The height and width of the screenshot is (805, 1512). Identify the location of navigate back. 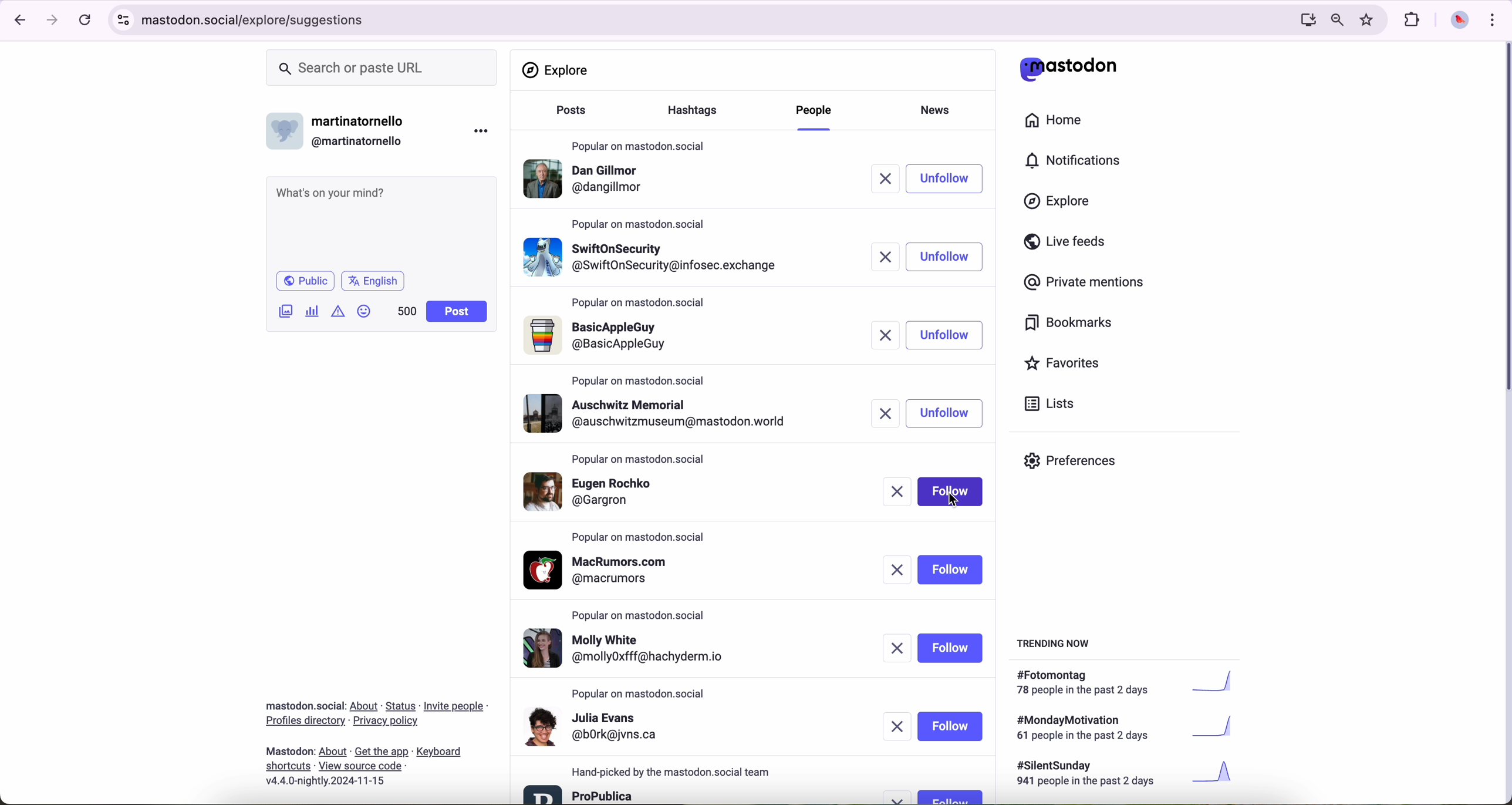
(16, 19).